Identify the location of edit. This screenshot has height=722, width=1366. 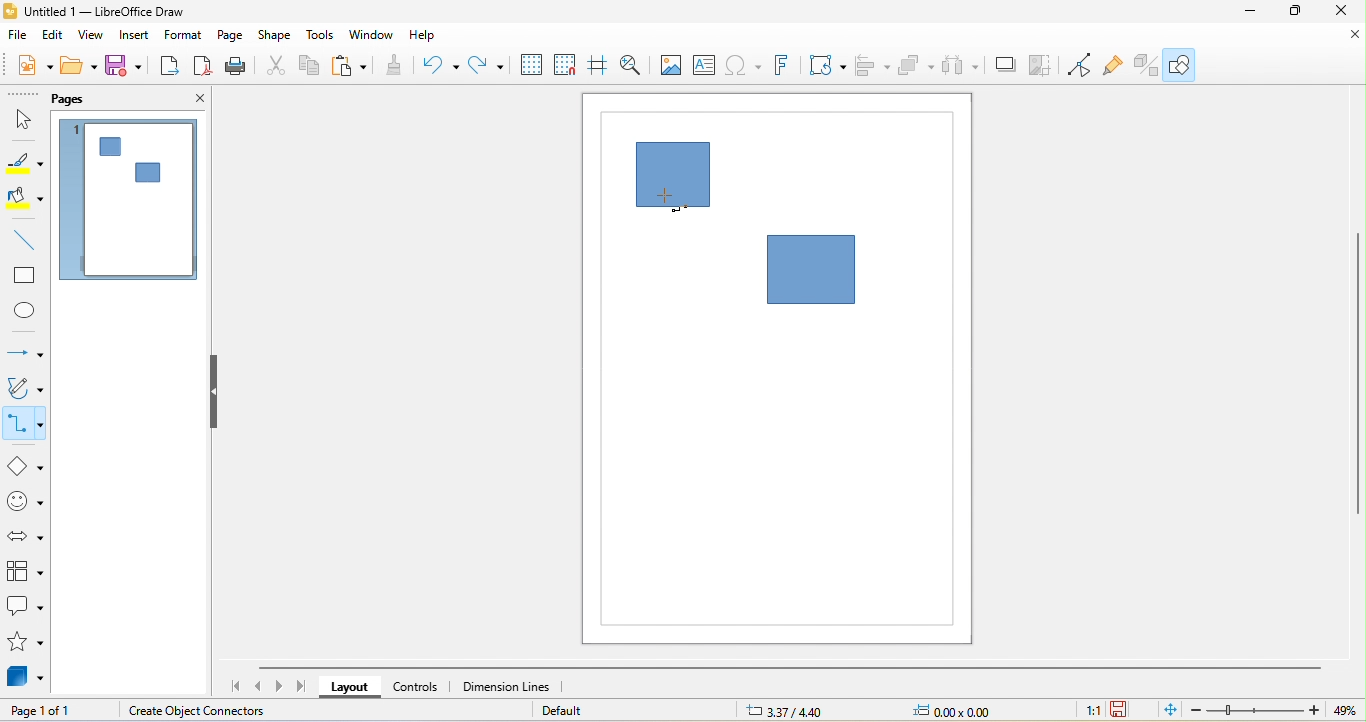
(57, 35).